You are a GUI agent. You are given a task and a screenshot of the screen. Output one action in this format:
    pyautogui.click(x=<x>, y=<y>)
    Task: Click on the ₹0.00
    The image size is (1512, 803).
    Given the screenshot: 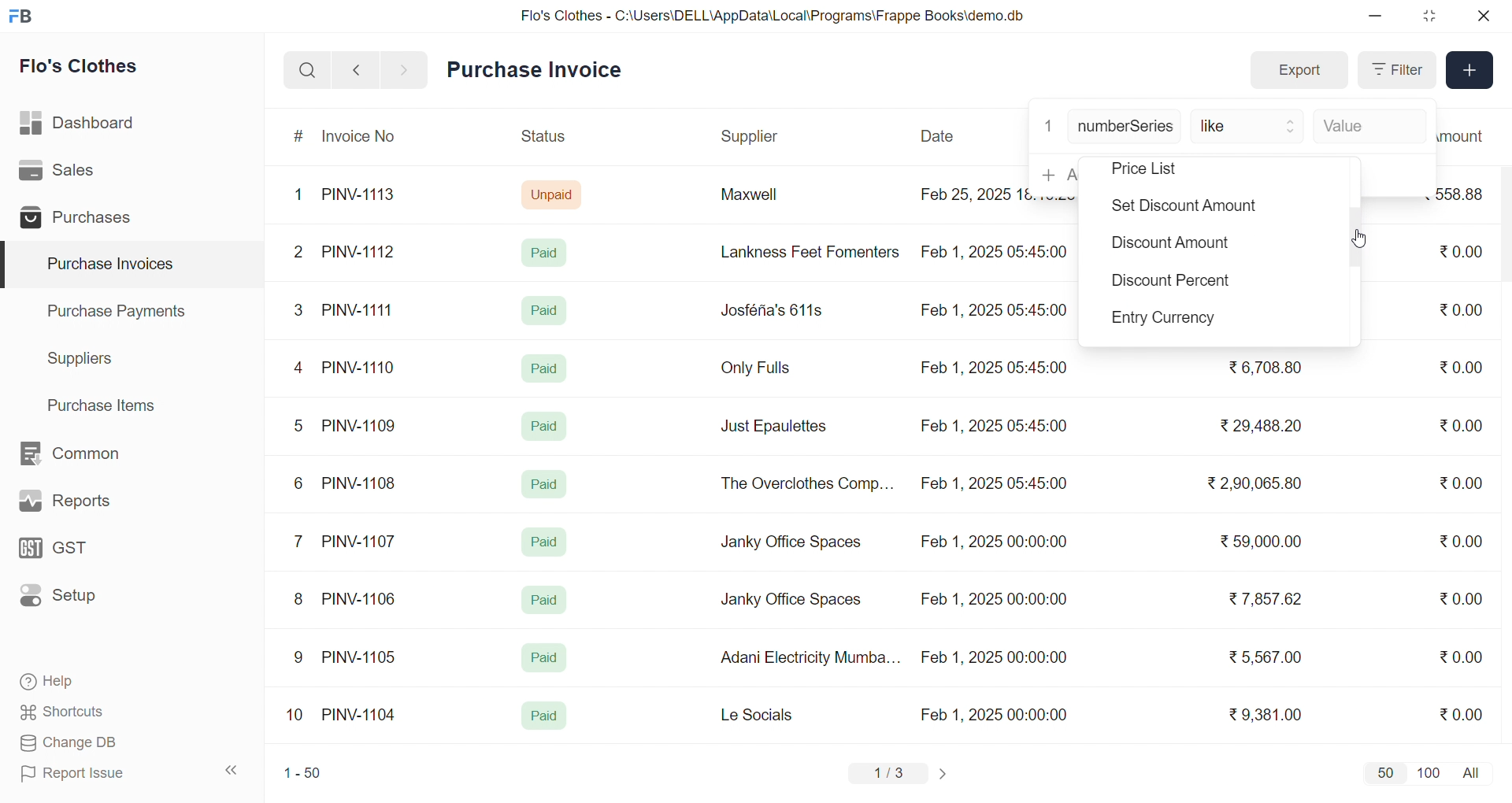 What is the action you would take?
    pyautogui.click(x=1462, y=656)
    